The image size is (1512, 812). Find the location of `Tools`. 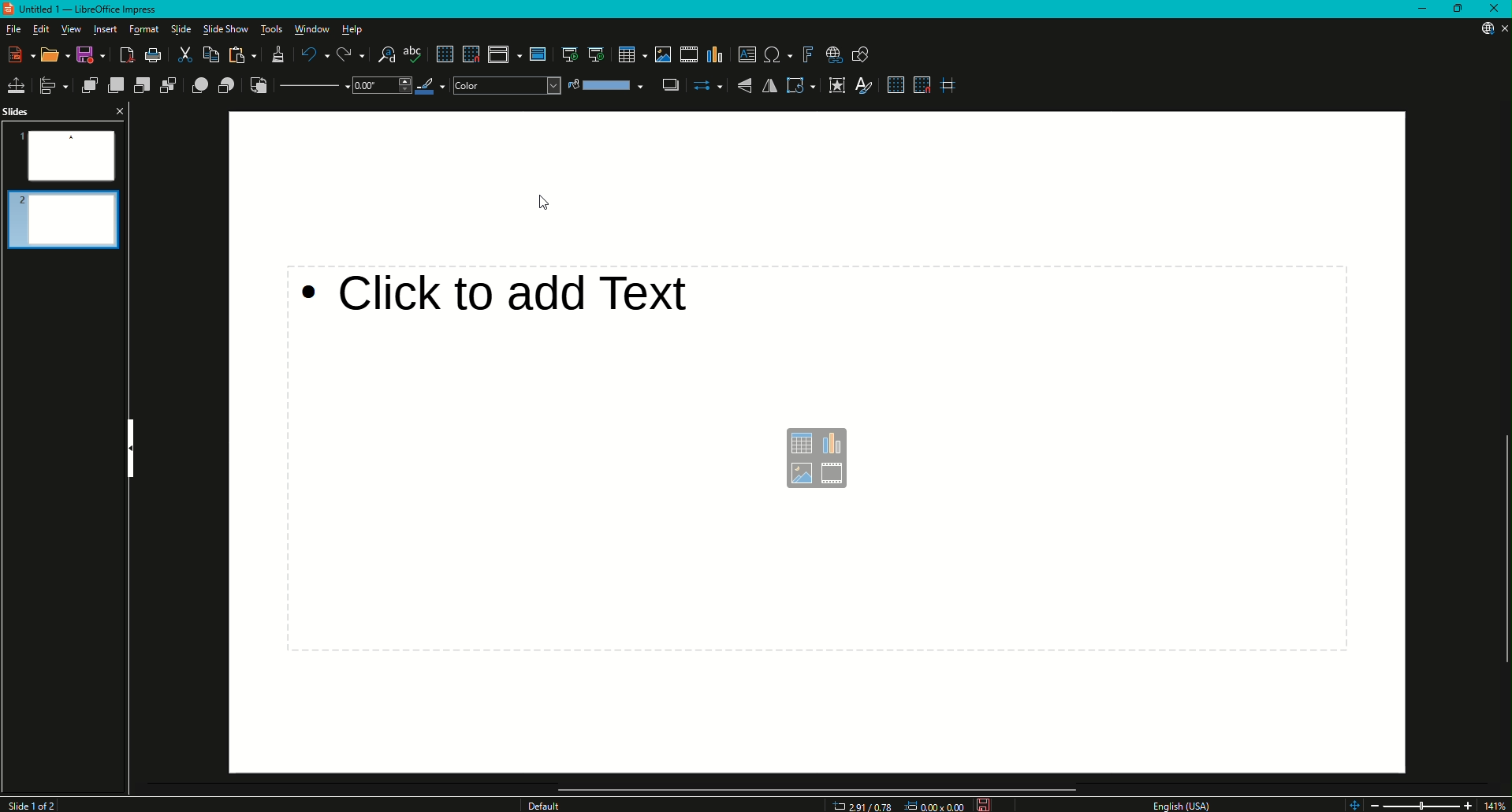

Tools is located at coordinates (274, 30).